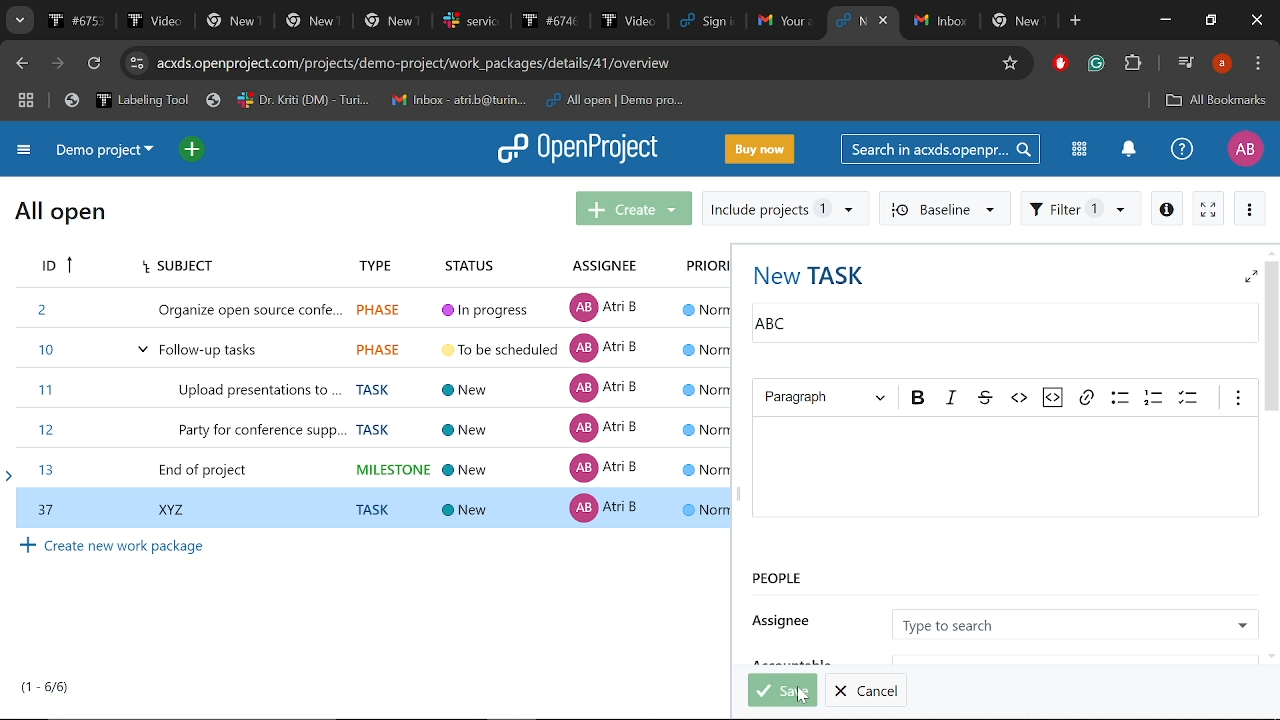 Image resolution: width=1280 pixels, height=720 pixels. I want to click on Heading, so click(826, 398).